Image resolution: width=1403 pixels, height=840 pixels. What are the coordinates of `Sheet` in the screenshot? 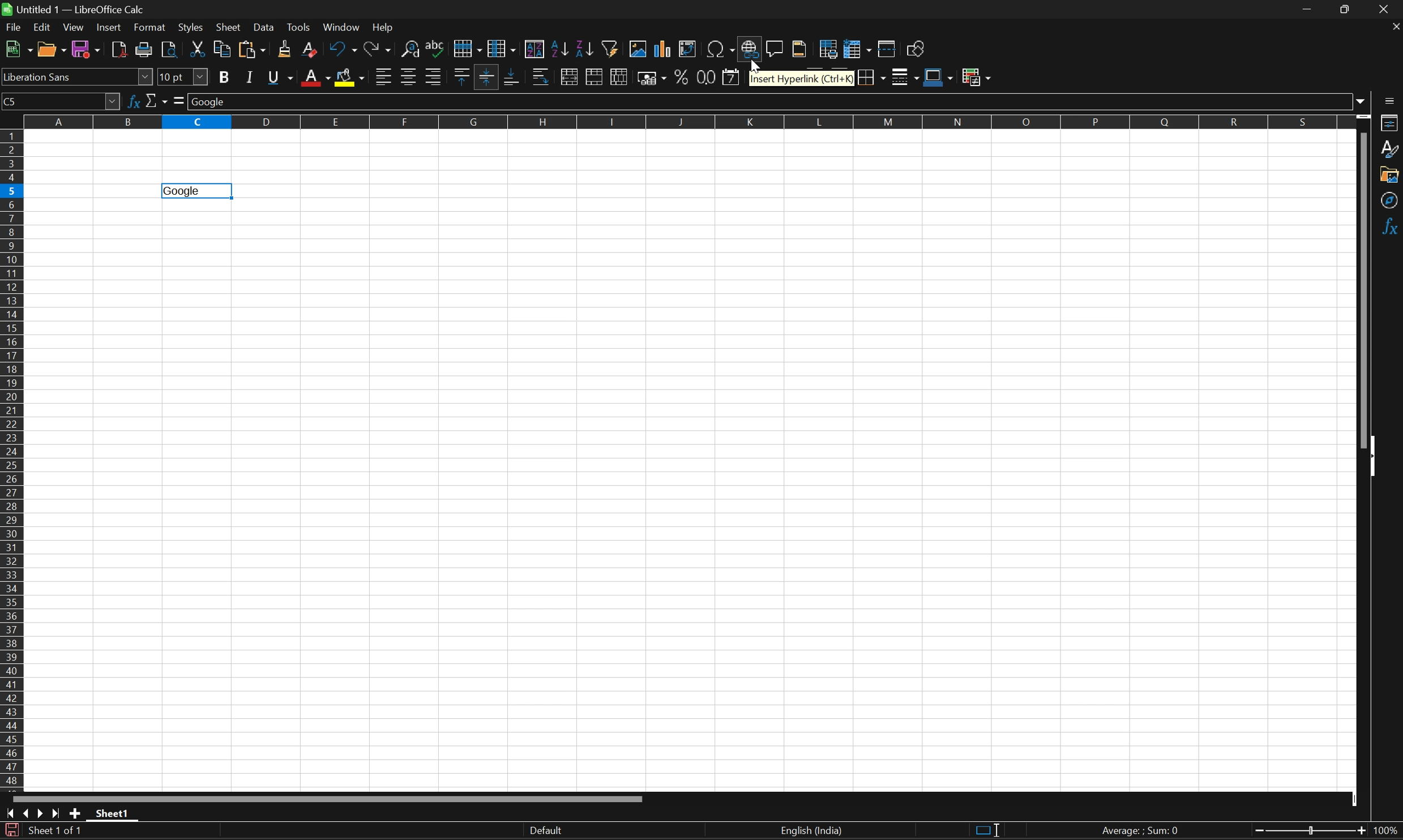 It's located at (229, 27).